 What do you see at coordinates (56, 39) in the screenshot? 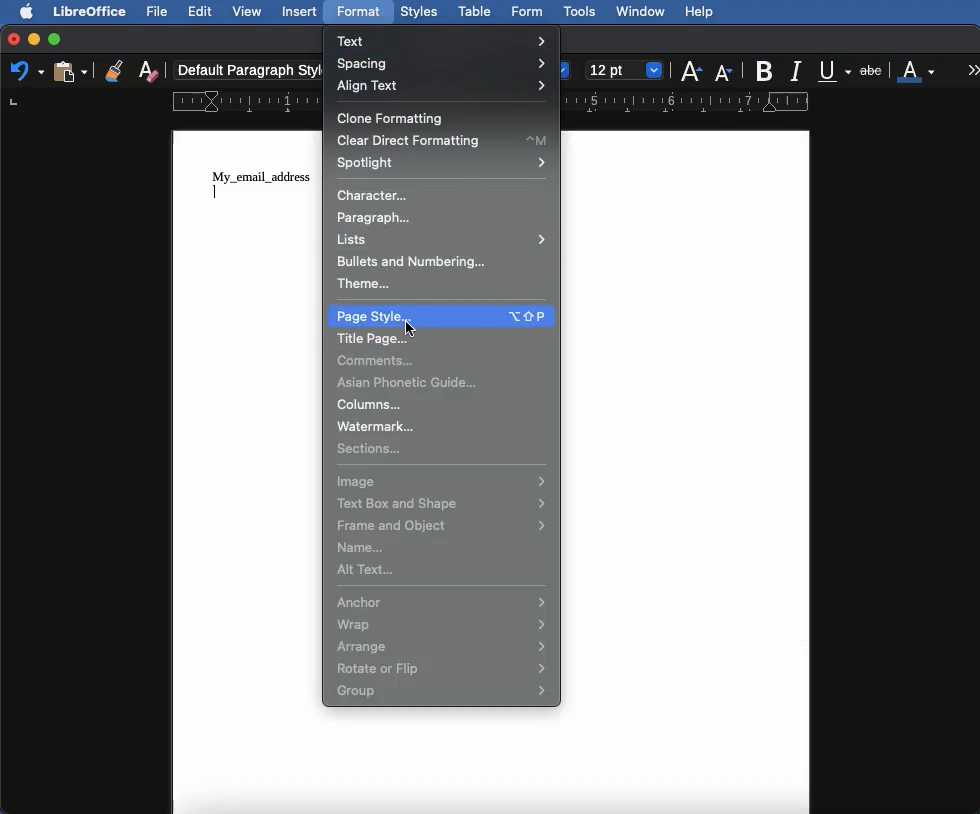
I see `Maximize` at bounding box center [56, 39].